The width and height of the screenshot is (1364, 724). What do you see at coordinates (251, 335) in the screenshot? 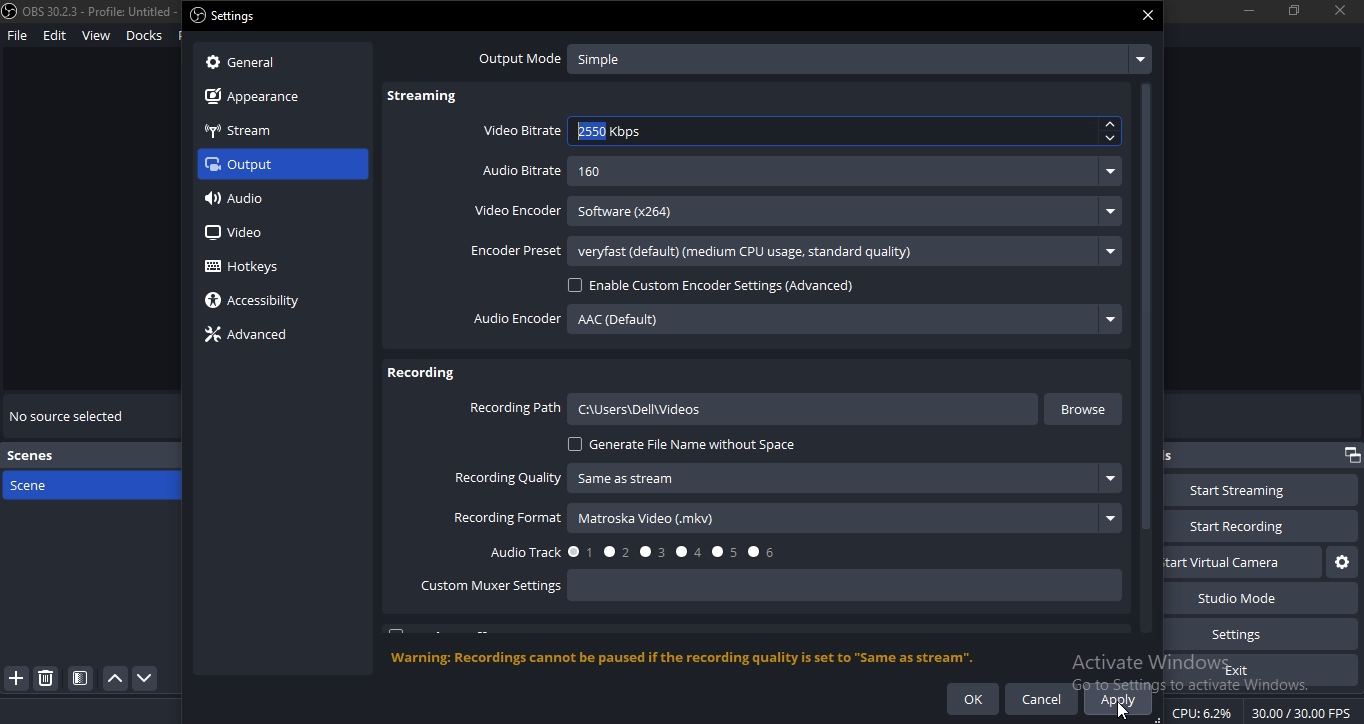
I see `advanced` at bounding box center [251, 335].